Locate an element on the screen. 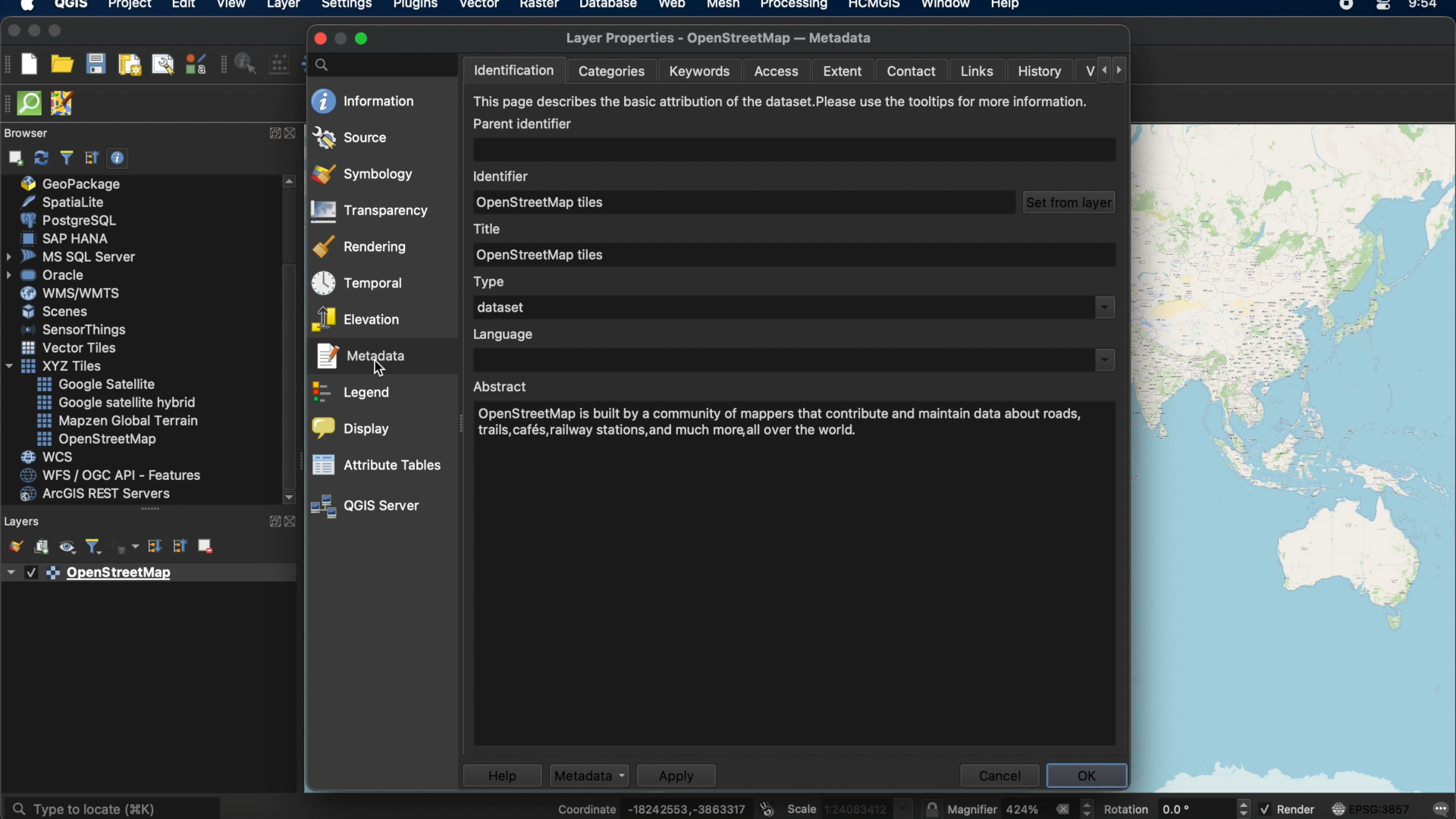  EXPAND is located at coordinates (271, 523).